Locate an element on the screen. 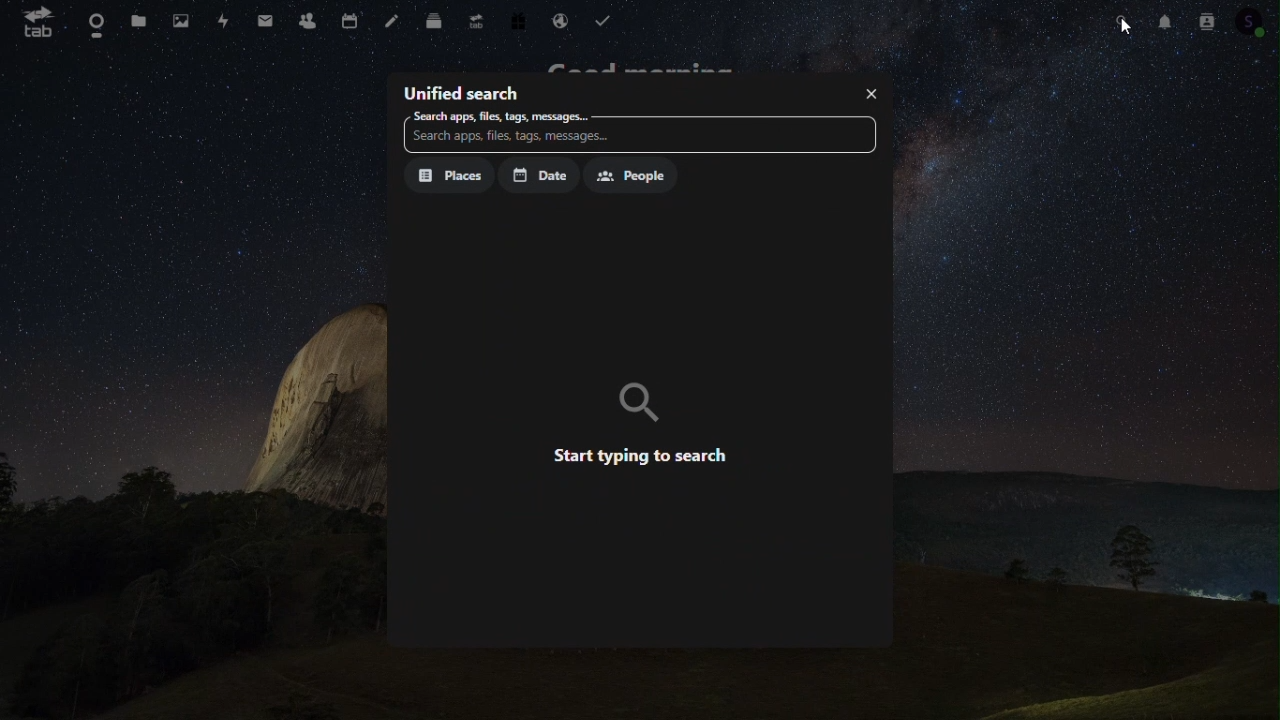  mail is located at coordinates (266, 20).